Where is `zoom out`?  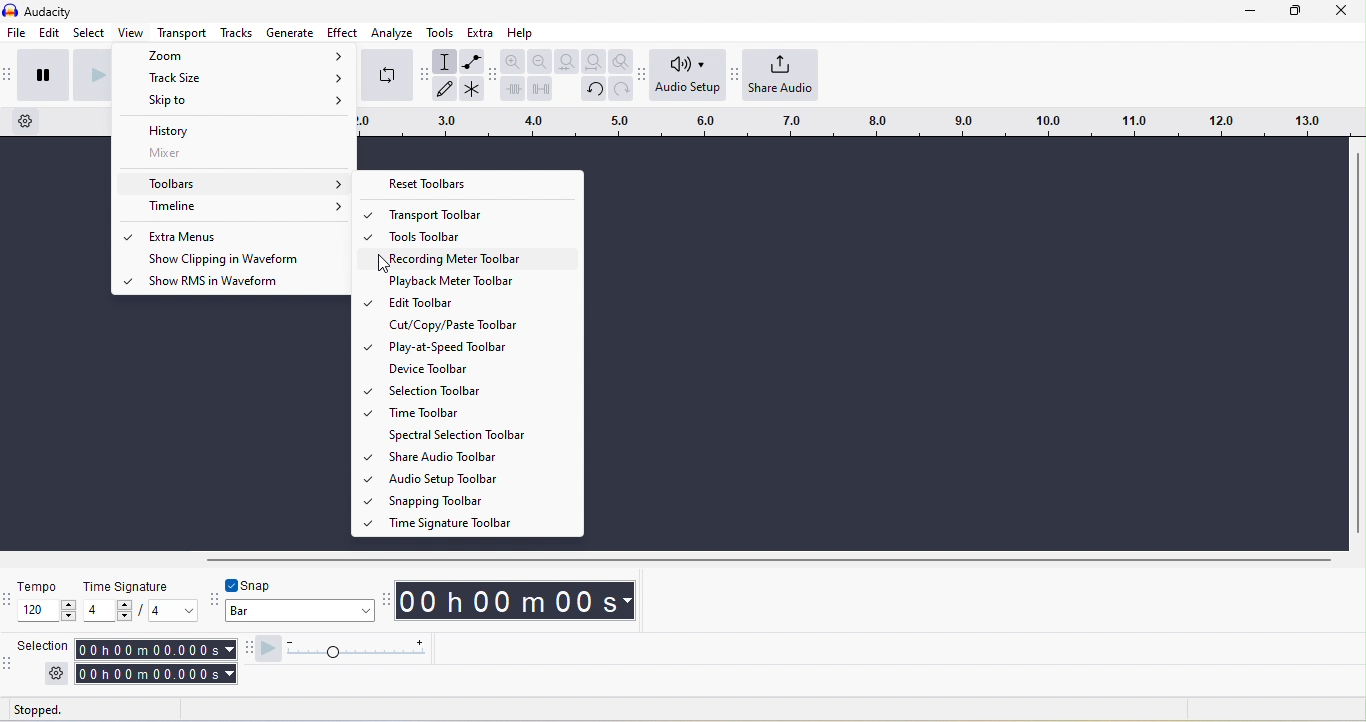 zoom out is located at coordinates (540, 61).